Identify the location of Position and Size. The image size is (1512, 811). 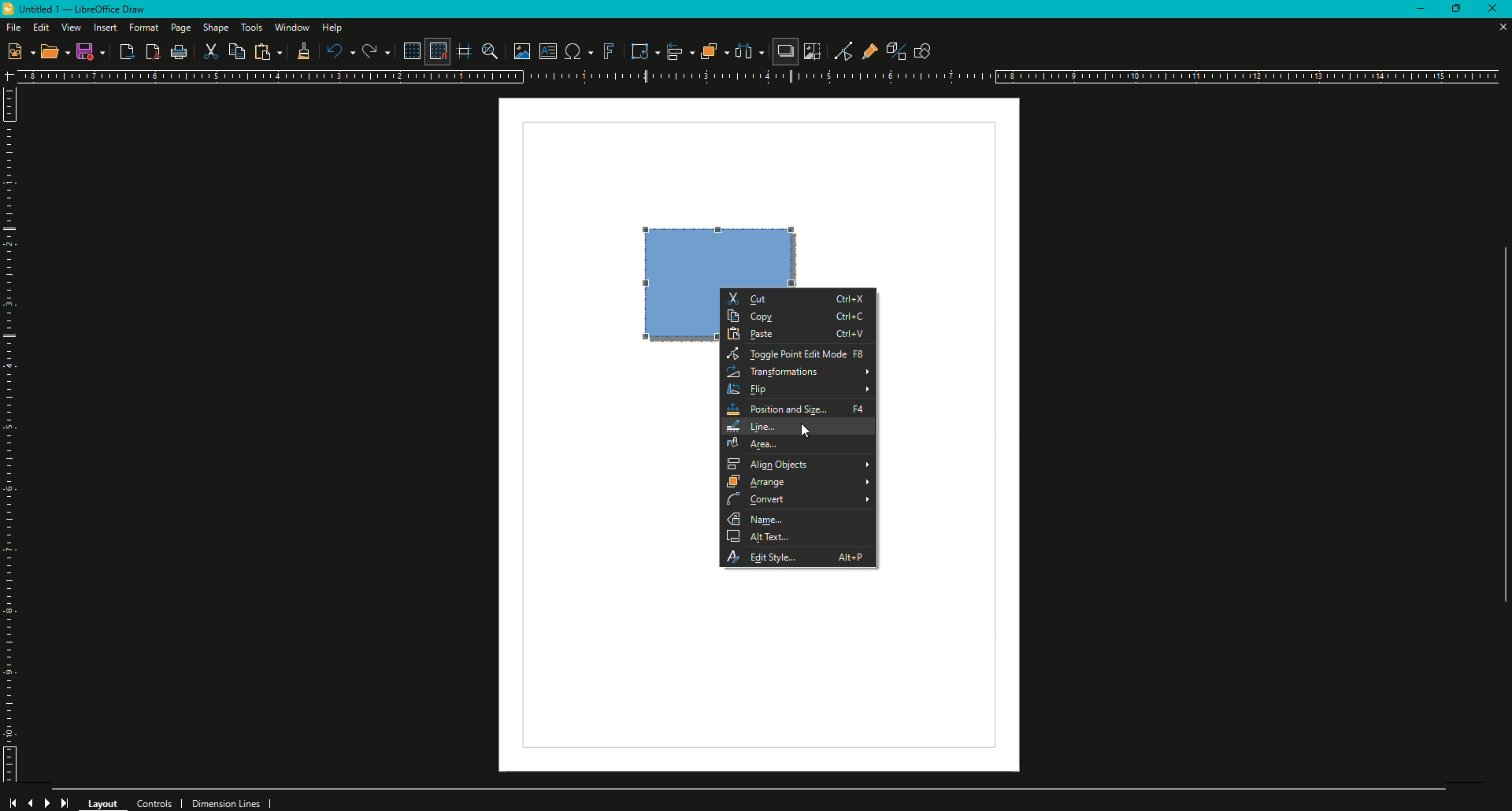
(799, 408).